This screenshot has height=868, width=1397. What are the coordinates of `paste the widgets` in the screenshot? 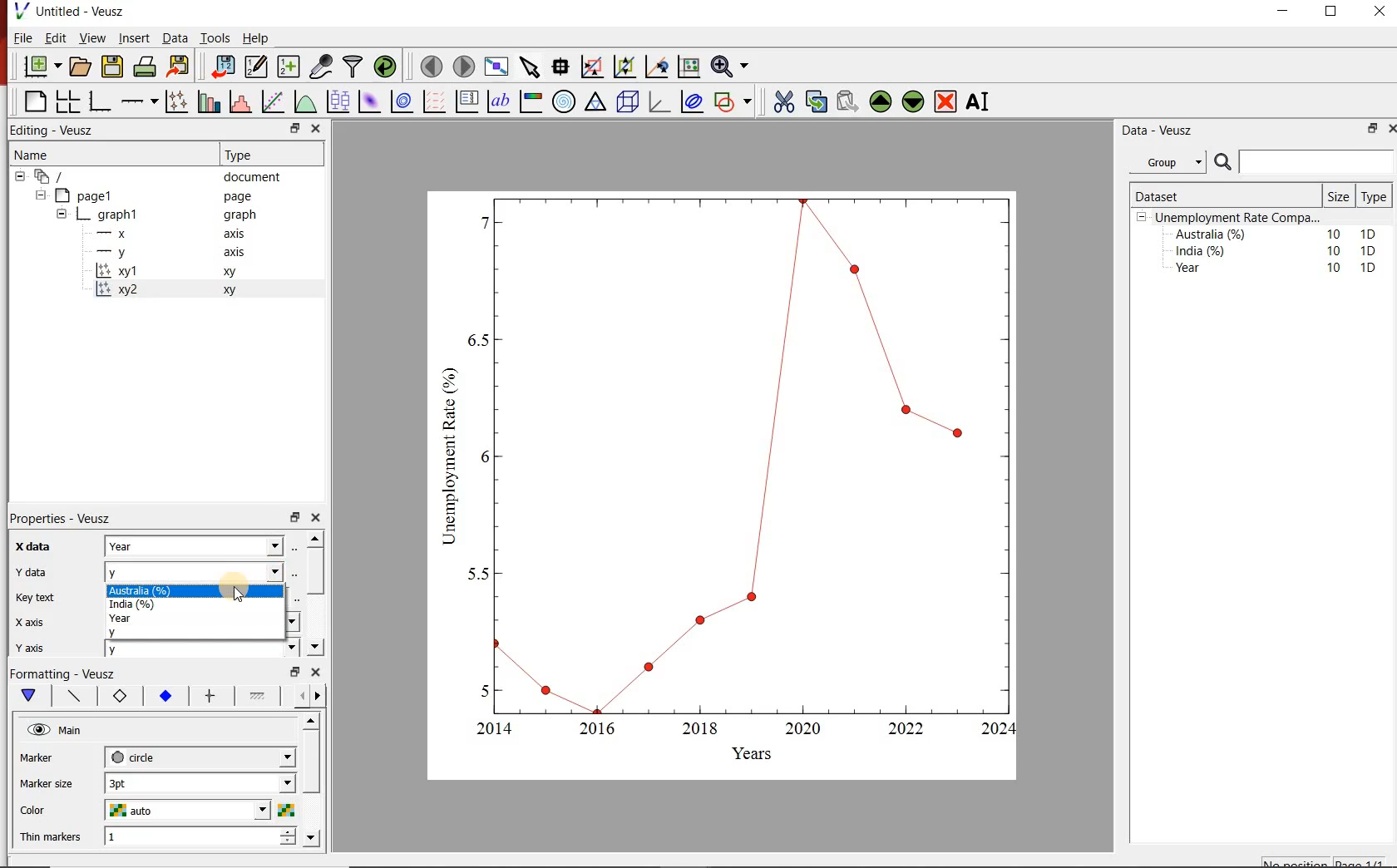 It's located at (848, 101).